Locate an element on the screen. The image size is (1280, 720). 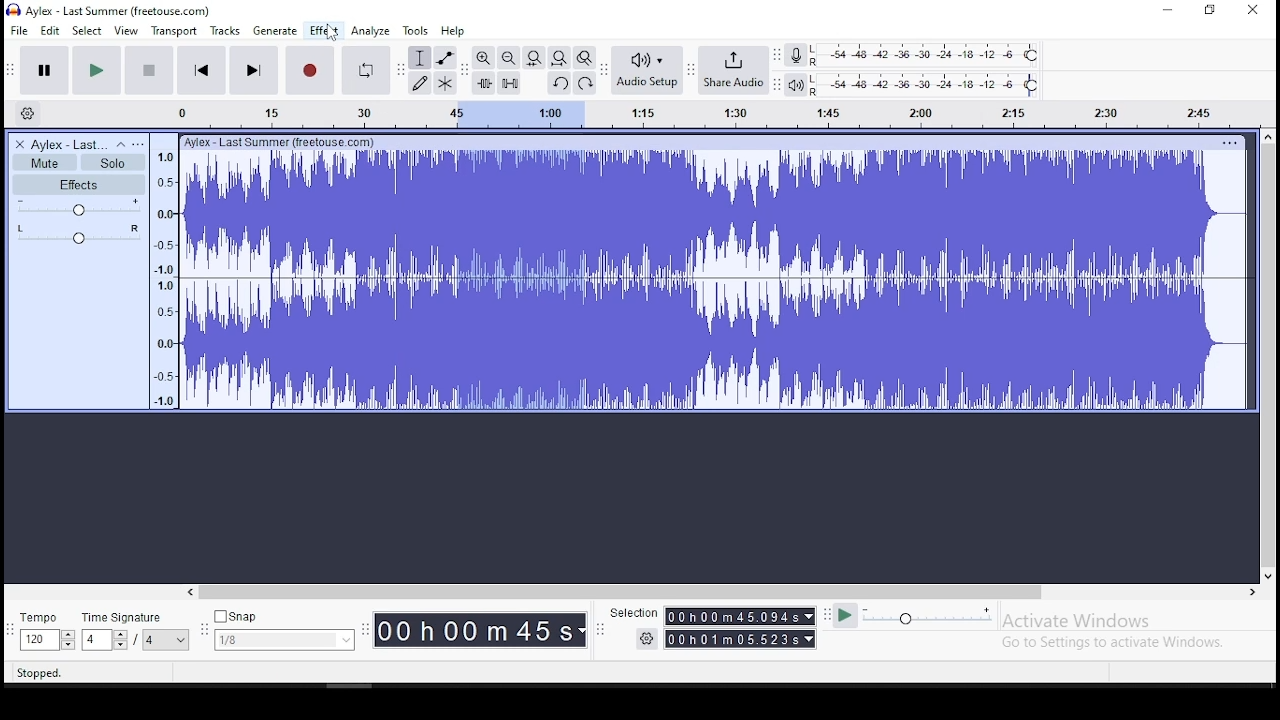
effect is located at coordinates (325, 31).